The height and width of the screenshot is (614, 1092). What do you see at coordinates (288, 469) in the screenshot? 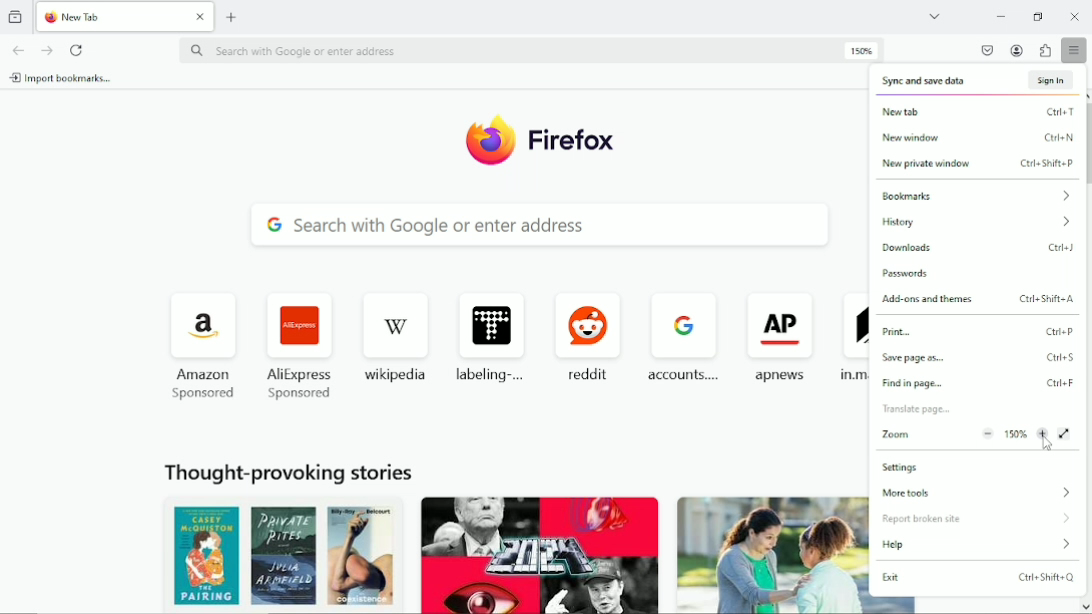
I see `Thought provoking stories` at bounding box center [288, 469].